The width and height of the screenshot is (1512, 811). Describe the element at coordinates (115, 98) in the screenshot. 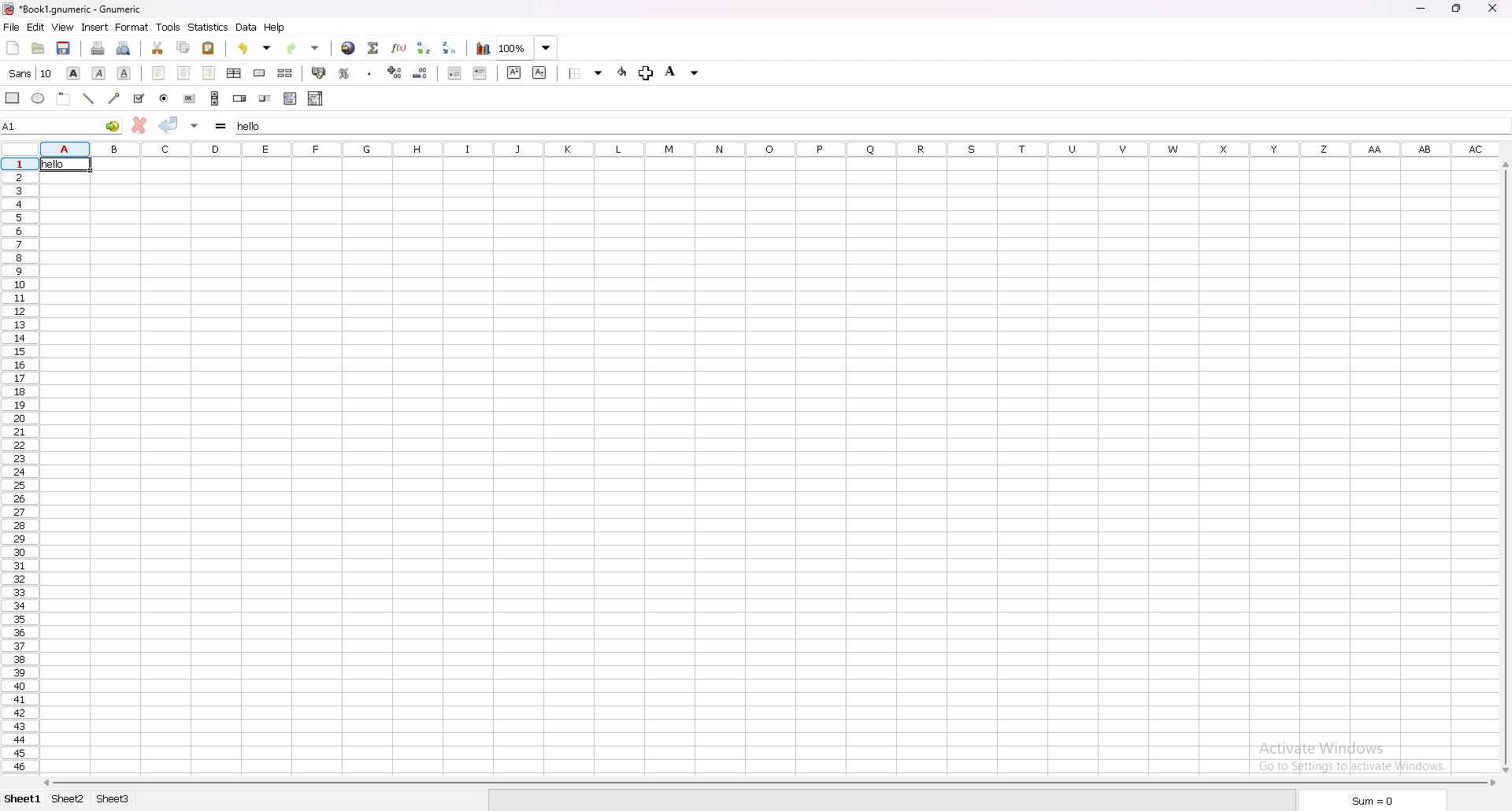

I see `arrowed line` at that location.